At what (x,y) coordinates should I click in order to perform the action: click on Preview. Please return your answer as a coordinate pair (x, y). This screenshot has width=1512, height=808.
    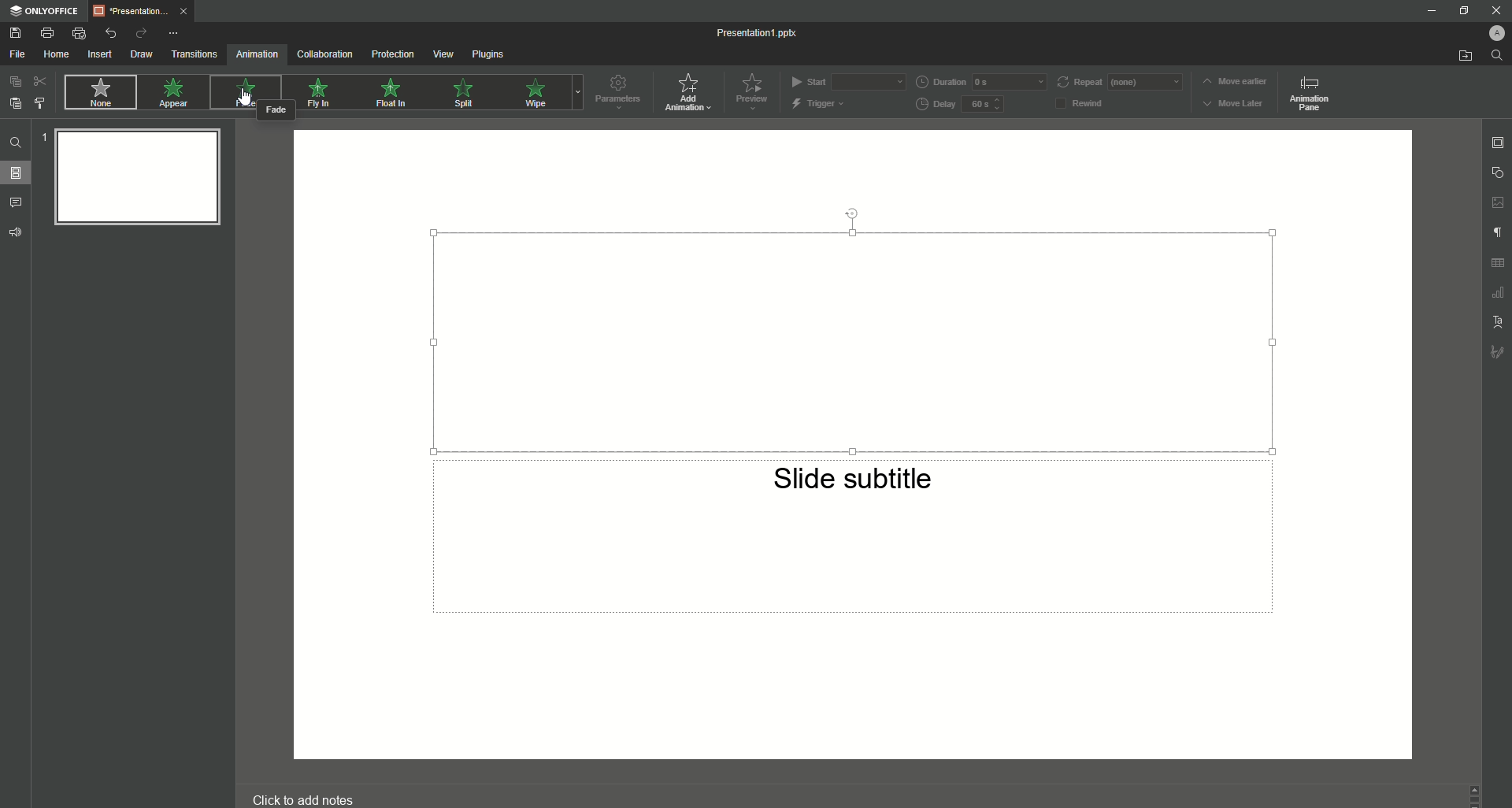
    Looking at the image, I should click on (754, 92).